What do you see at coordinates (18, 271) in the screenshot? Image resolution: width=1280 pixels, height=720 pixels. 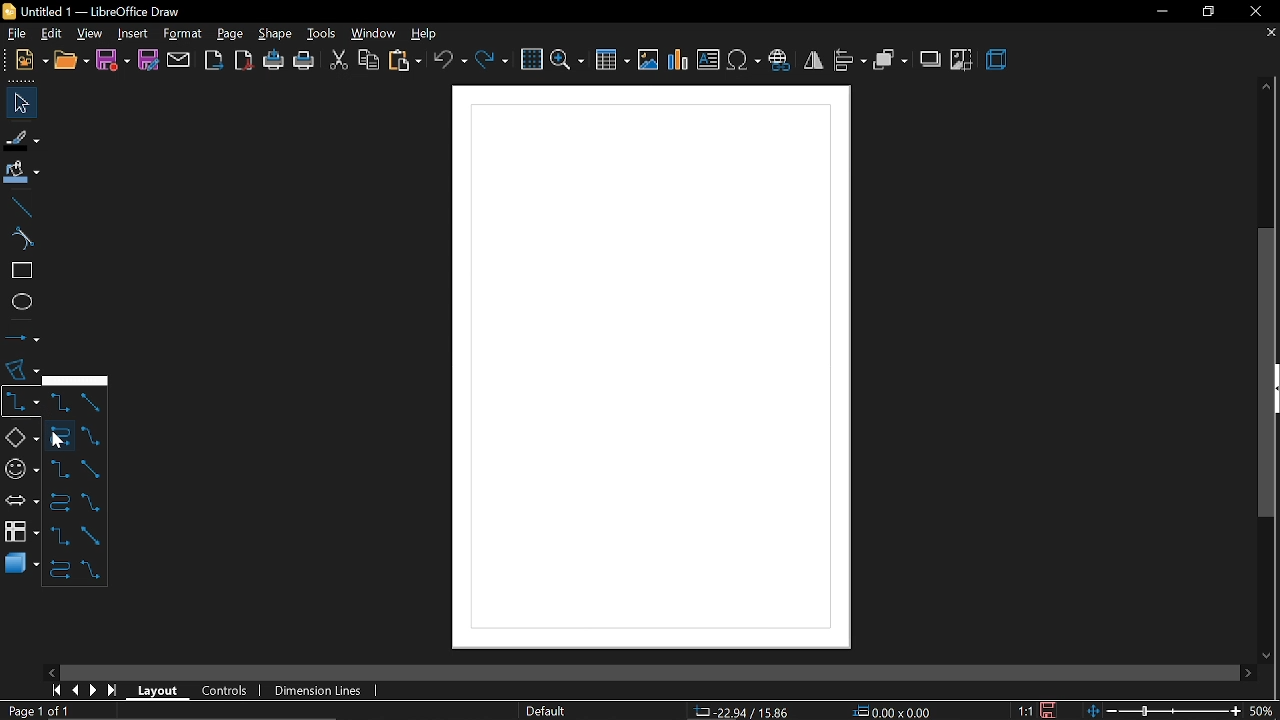 I see `rectangle` at bounding box center [18, 271].